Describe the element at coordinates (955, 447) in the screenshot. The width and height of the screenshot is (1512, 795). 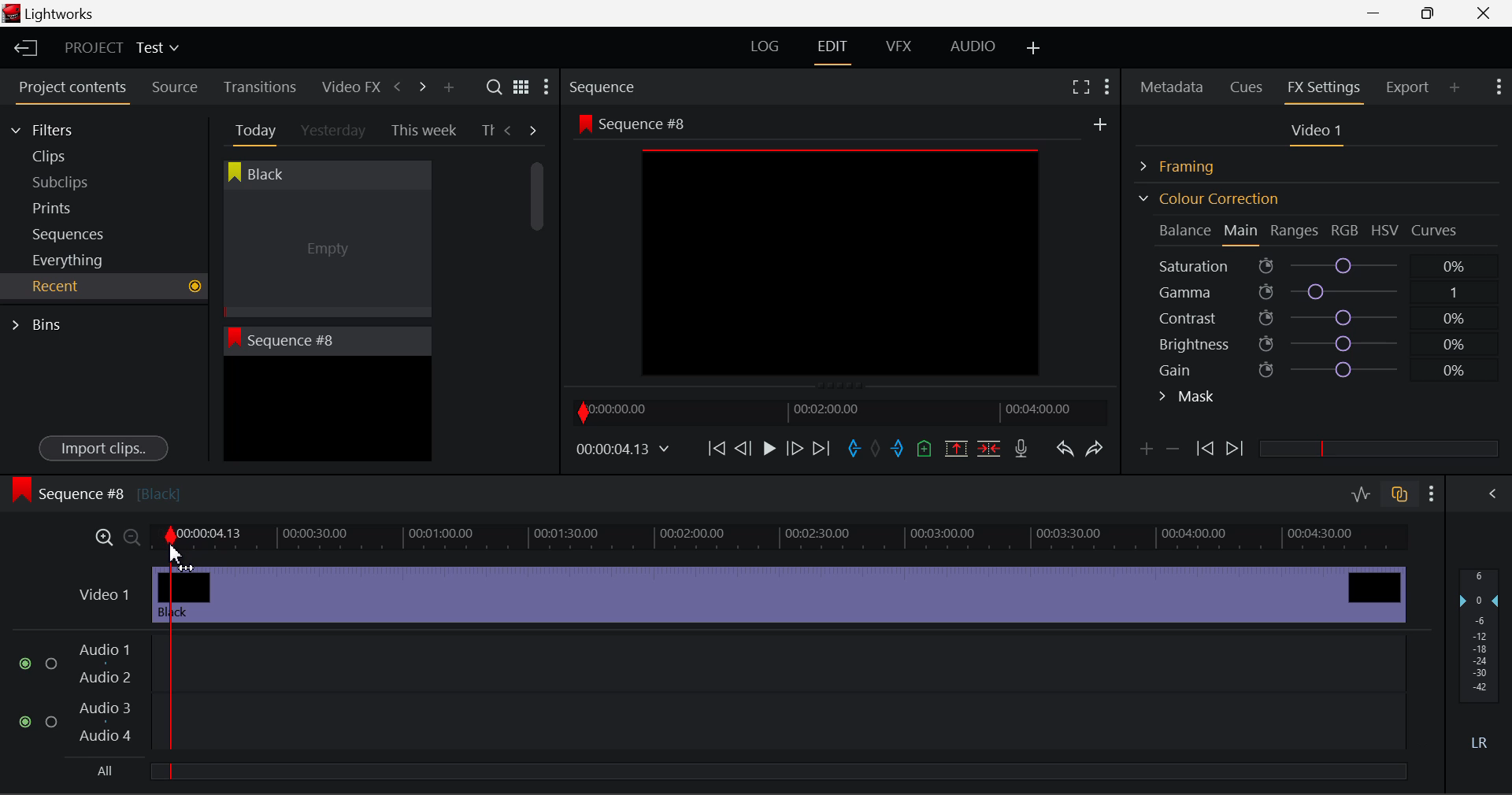
I see `Remove marked section` at that location.